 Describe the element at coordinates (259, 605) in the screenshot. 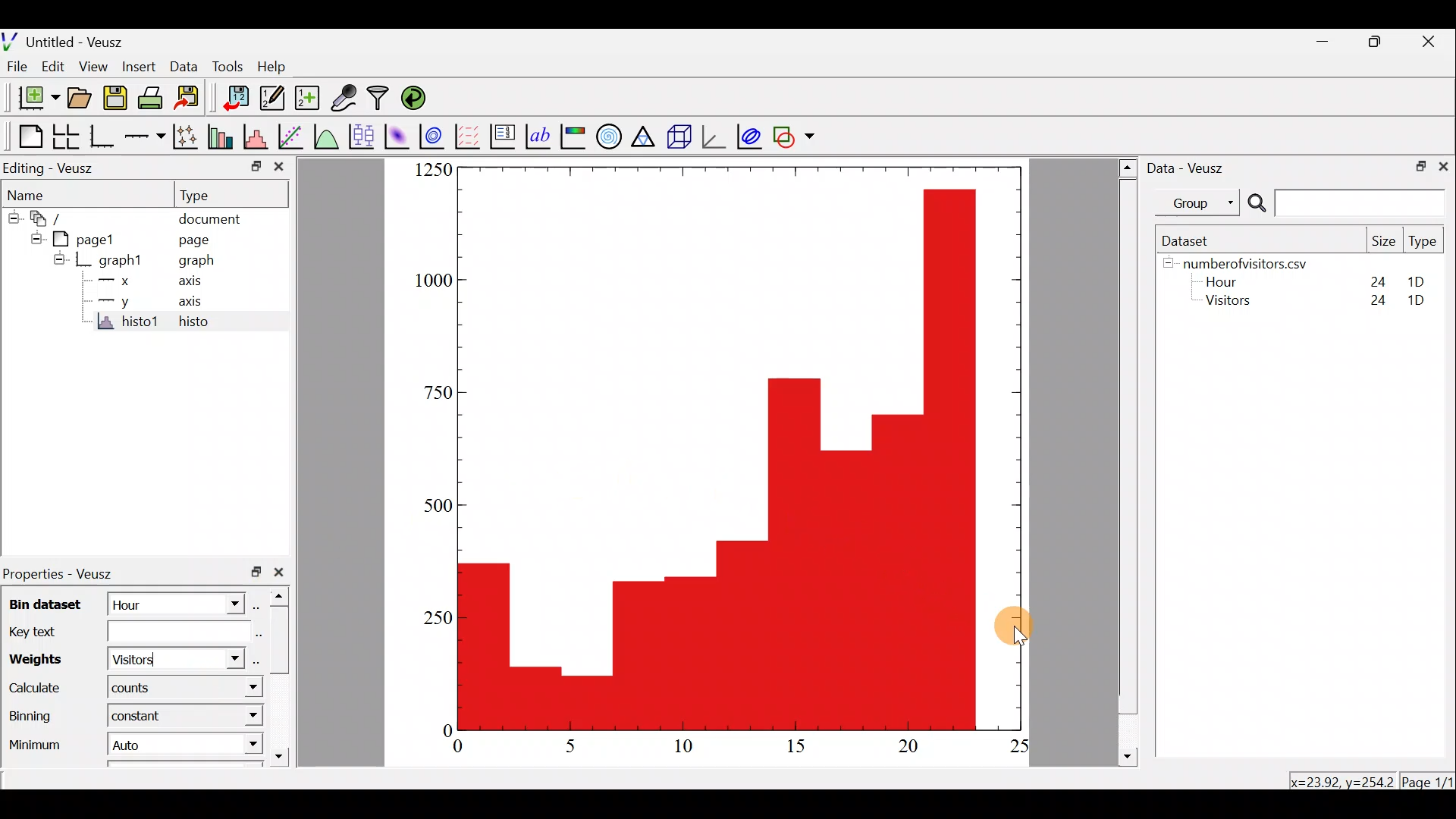

I see `select using dataset browser` at that location.